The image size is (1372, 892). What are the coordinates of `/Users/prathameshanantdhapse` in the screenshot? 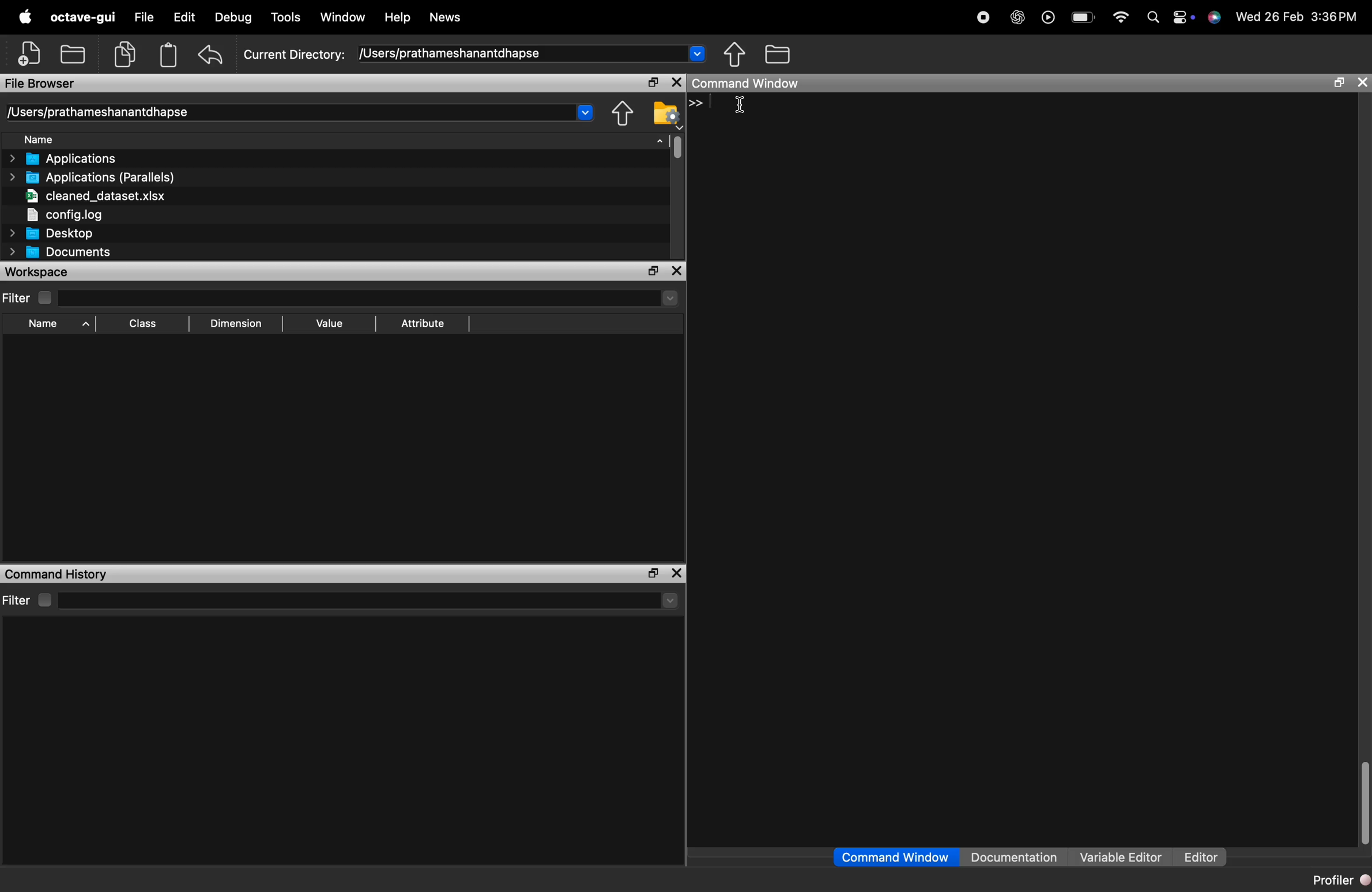 It's located at (297, 112).